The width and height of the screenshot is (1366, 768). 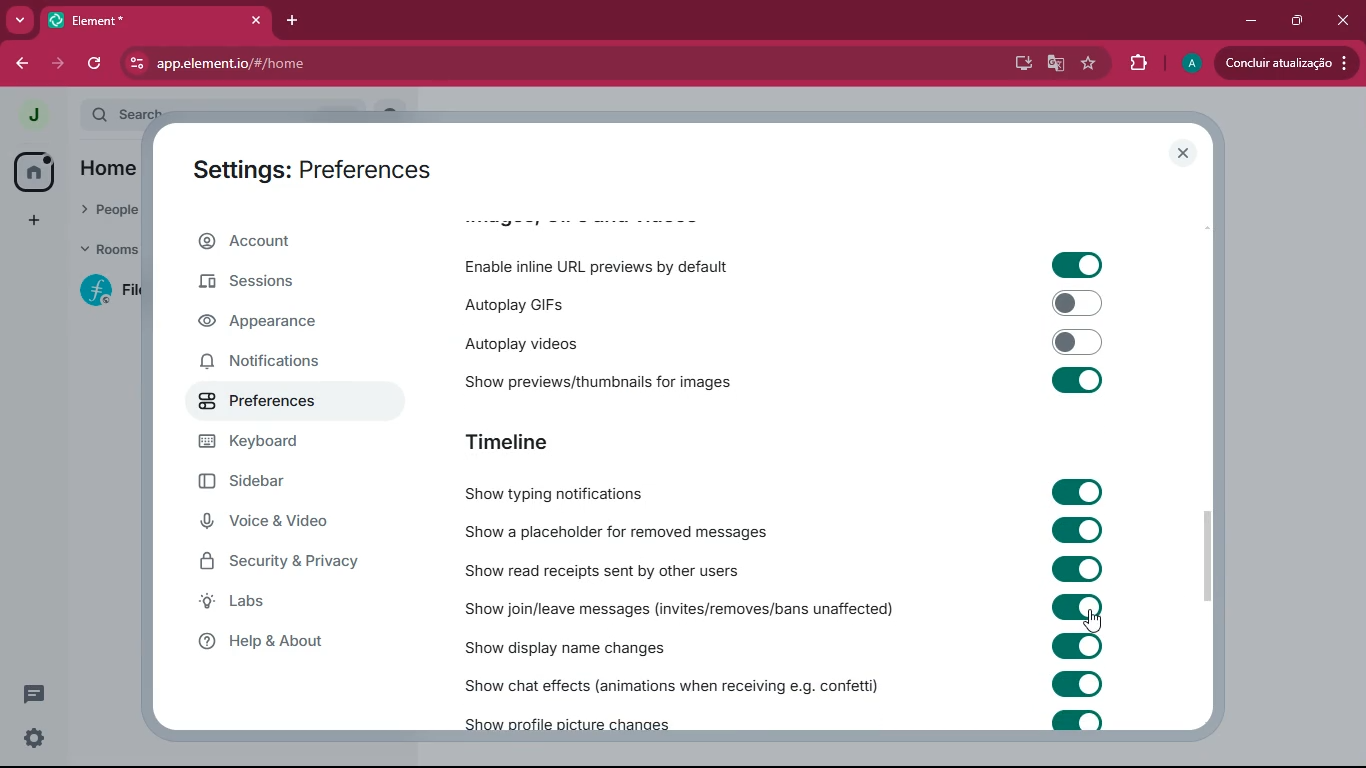 I want to click on maximize, so click(x=1299, y=21).